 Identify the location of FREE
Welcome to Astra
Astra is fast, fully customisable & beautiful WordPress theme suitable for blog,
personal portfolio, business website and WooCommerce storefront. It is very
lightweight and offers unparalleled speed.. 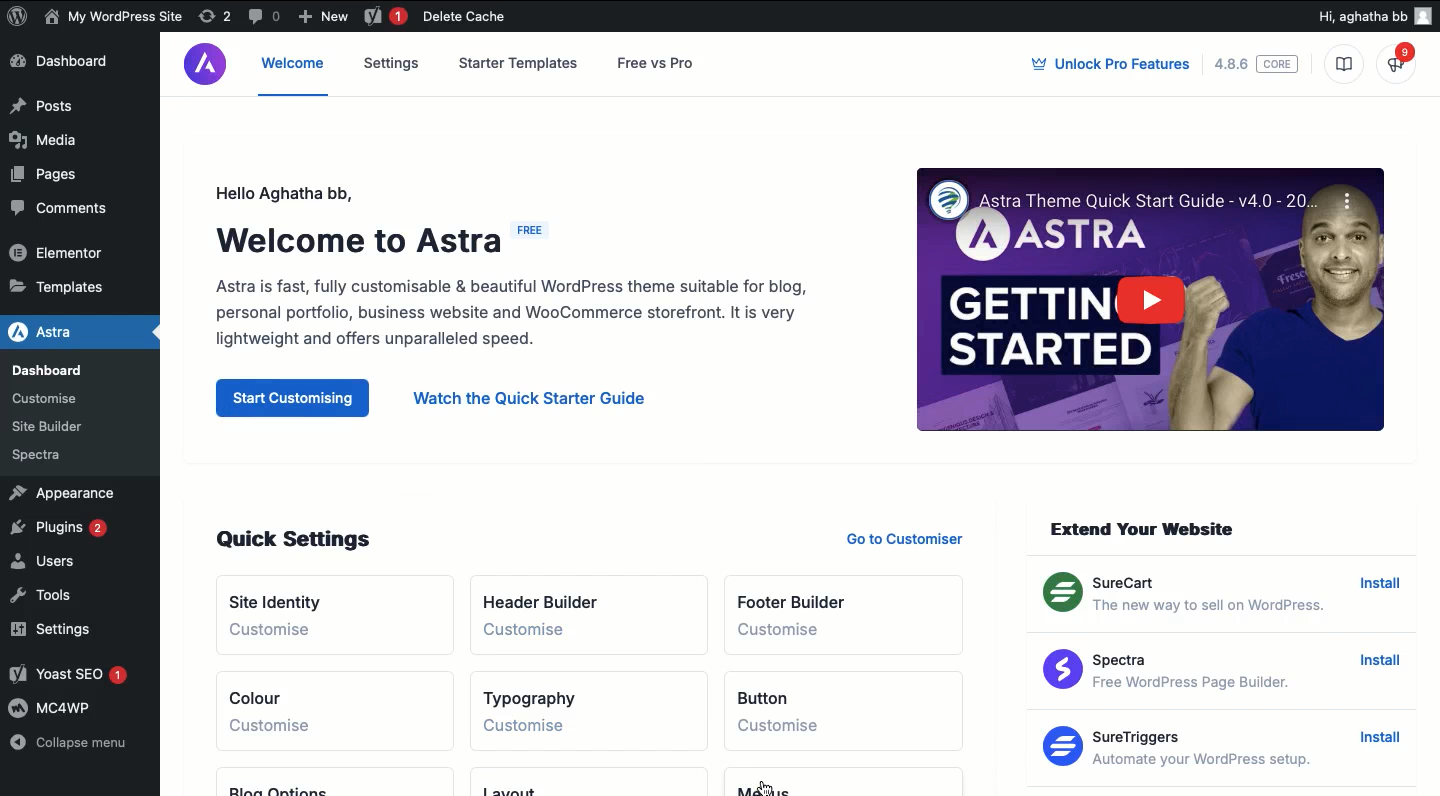
(510, 288).